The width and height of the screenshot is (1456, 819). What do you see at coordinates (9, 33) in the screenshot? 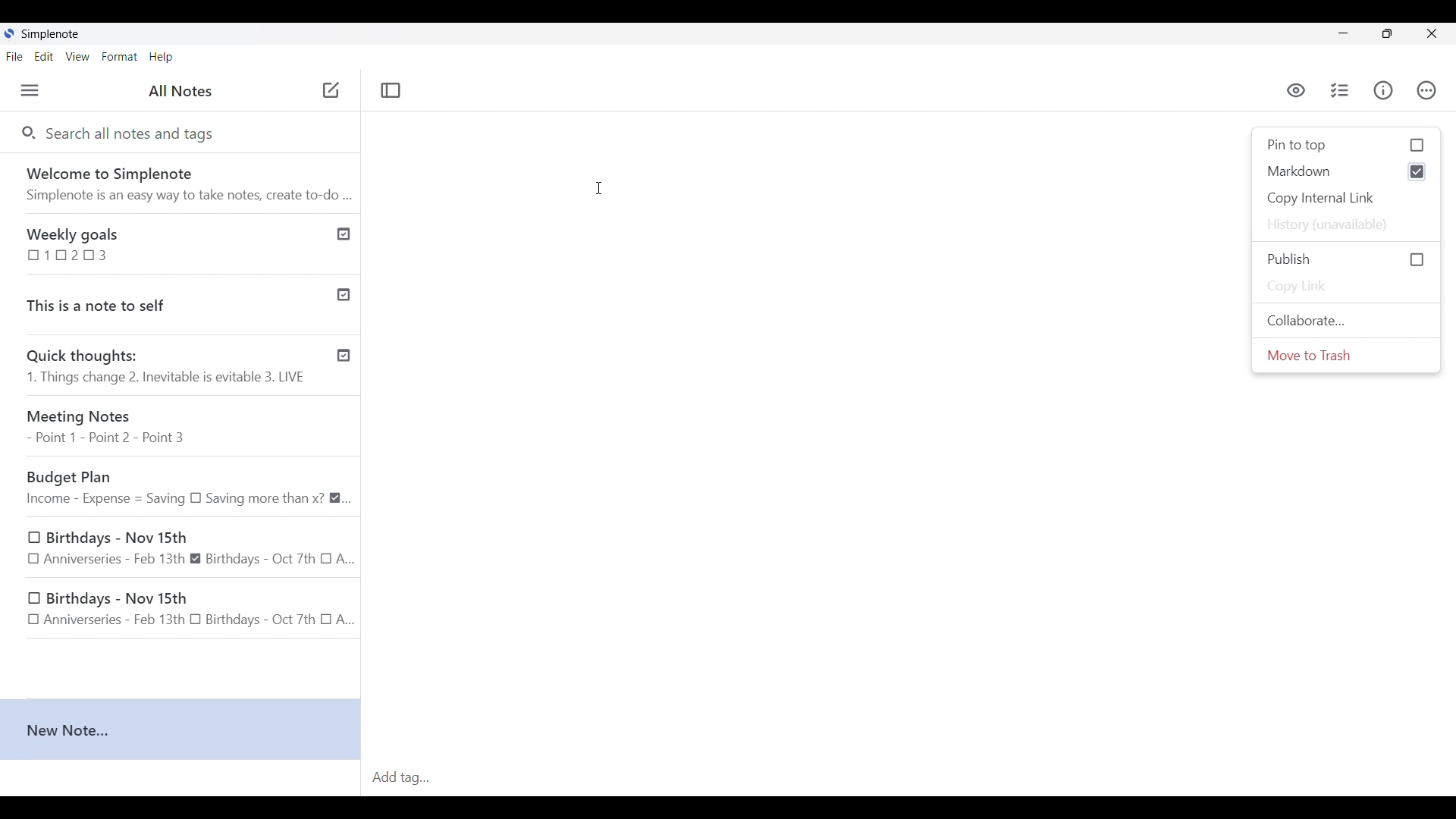
I see `Software logo` at bounding box center [9, 33].